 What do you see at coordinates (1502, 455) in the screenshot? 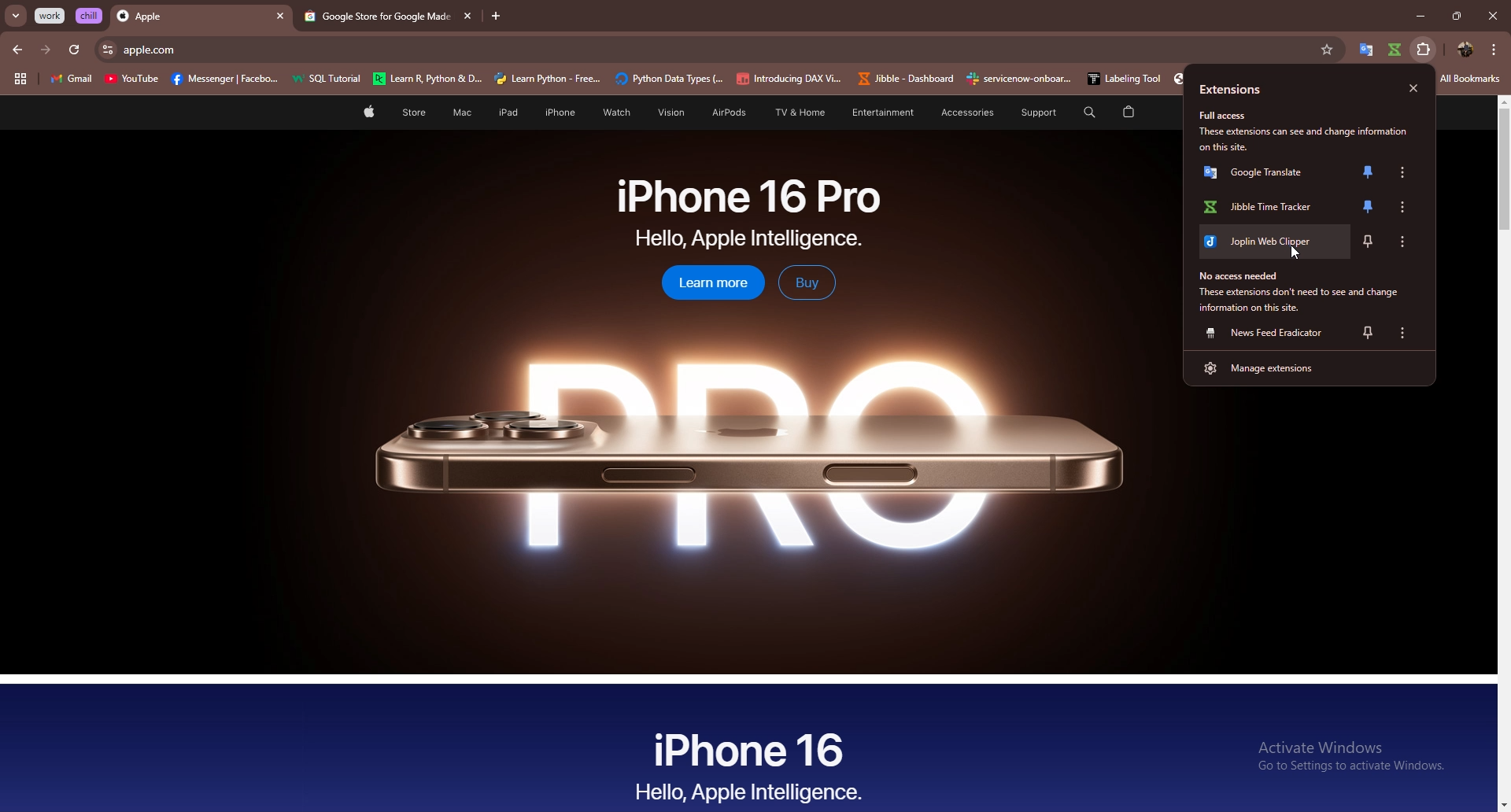
I see `scroll bar` at bounding box center [1502, 455].